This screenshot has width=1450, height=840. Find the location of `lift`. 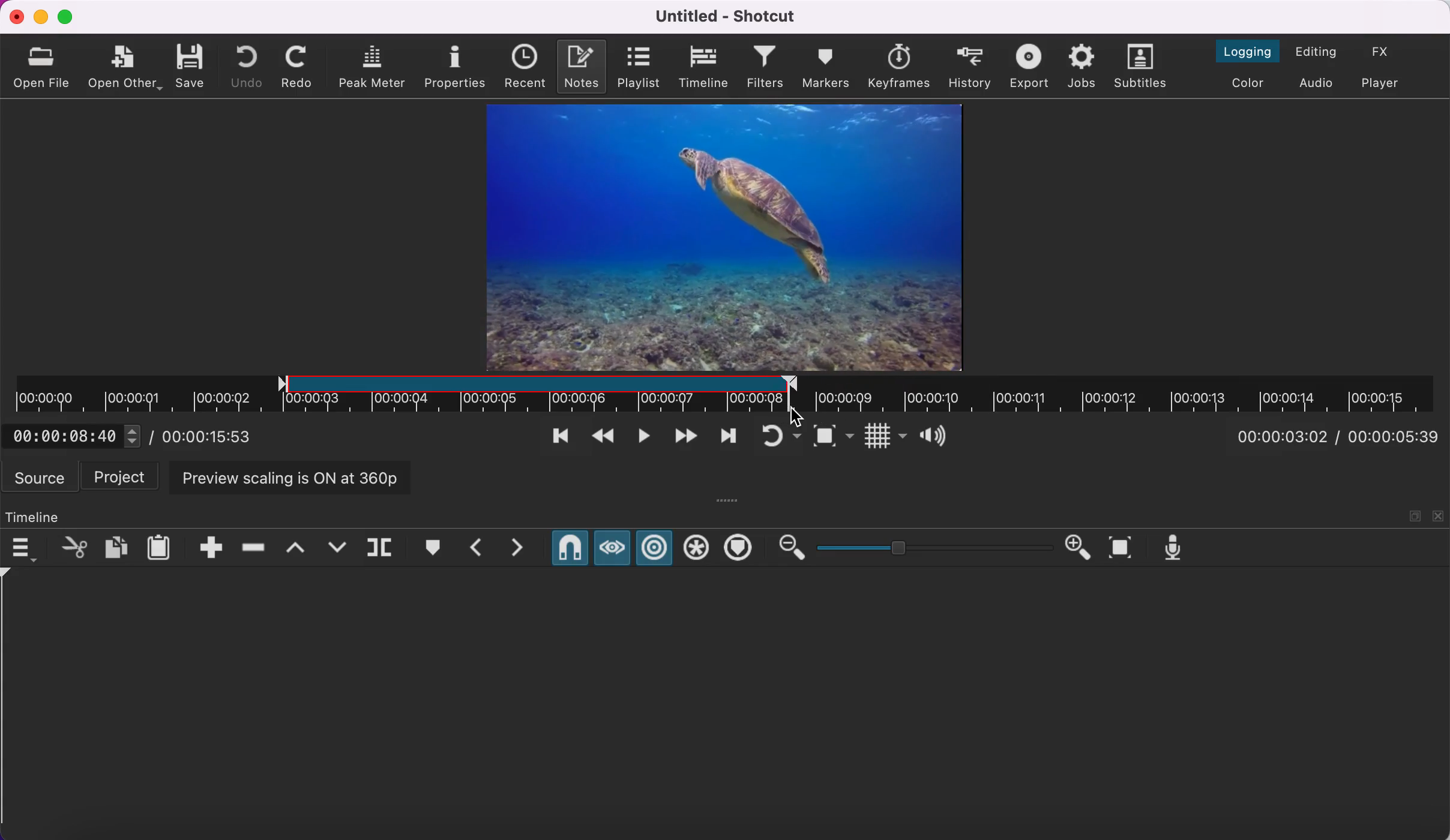

lift is located at coordinates (293, 548).